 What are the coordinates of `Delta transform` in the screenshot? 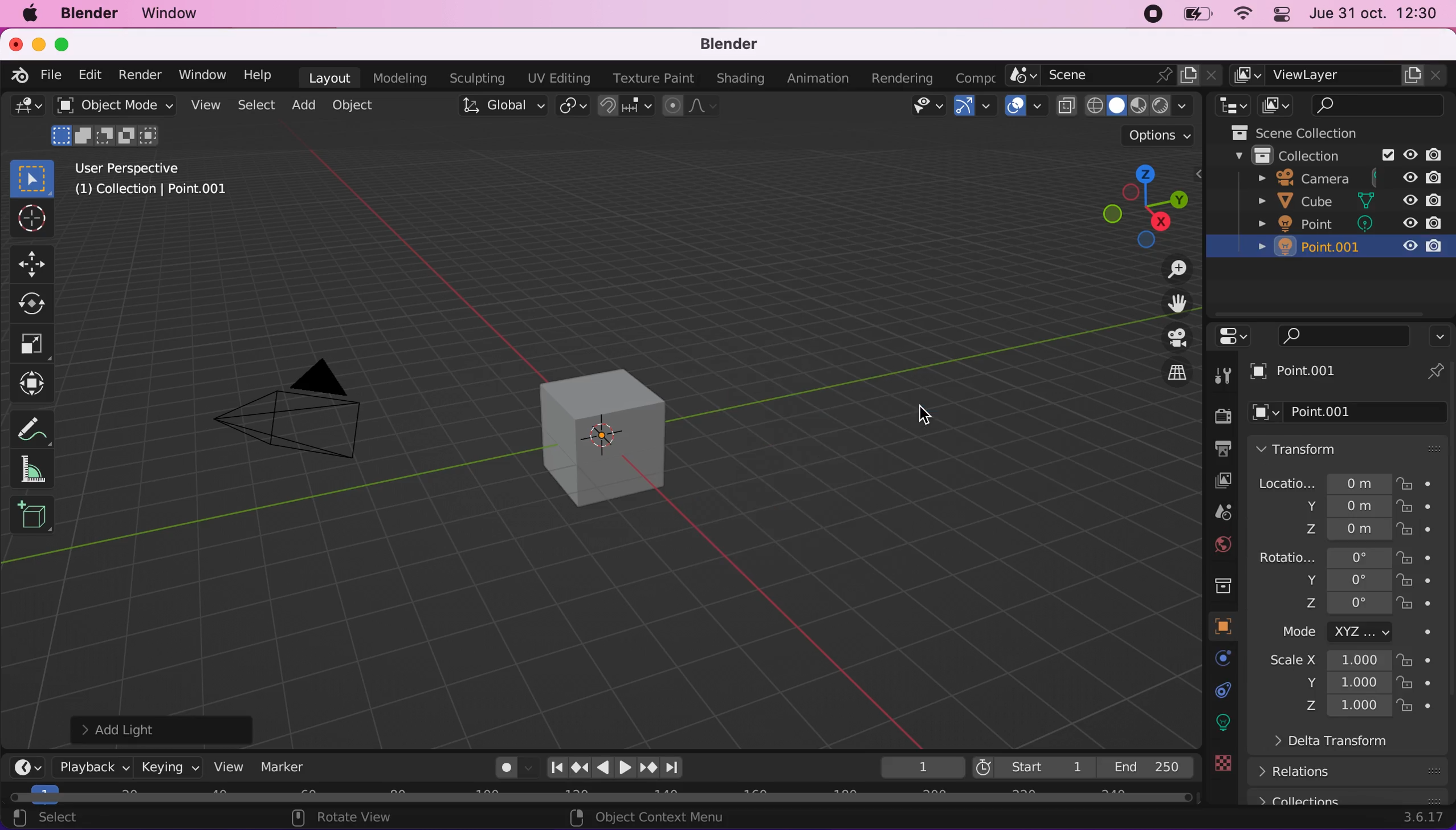 It's located at (1359, 742).